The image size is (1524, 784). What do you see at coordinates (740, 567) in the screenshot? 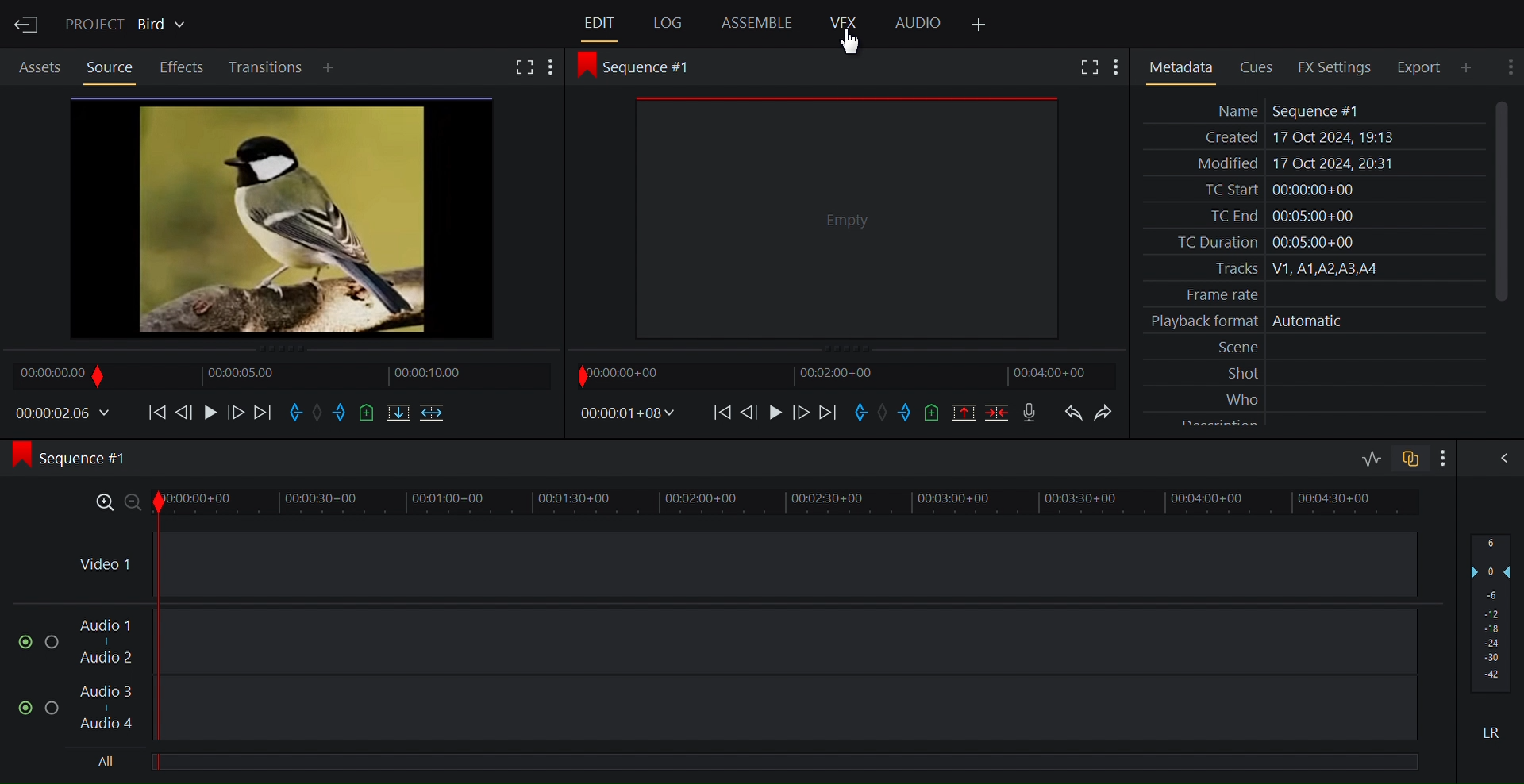
I see `Video Track` at bounding box center [740, 567].